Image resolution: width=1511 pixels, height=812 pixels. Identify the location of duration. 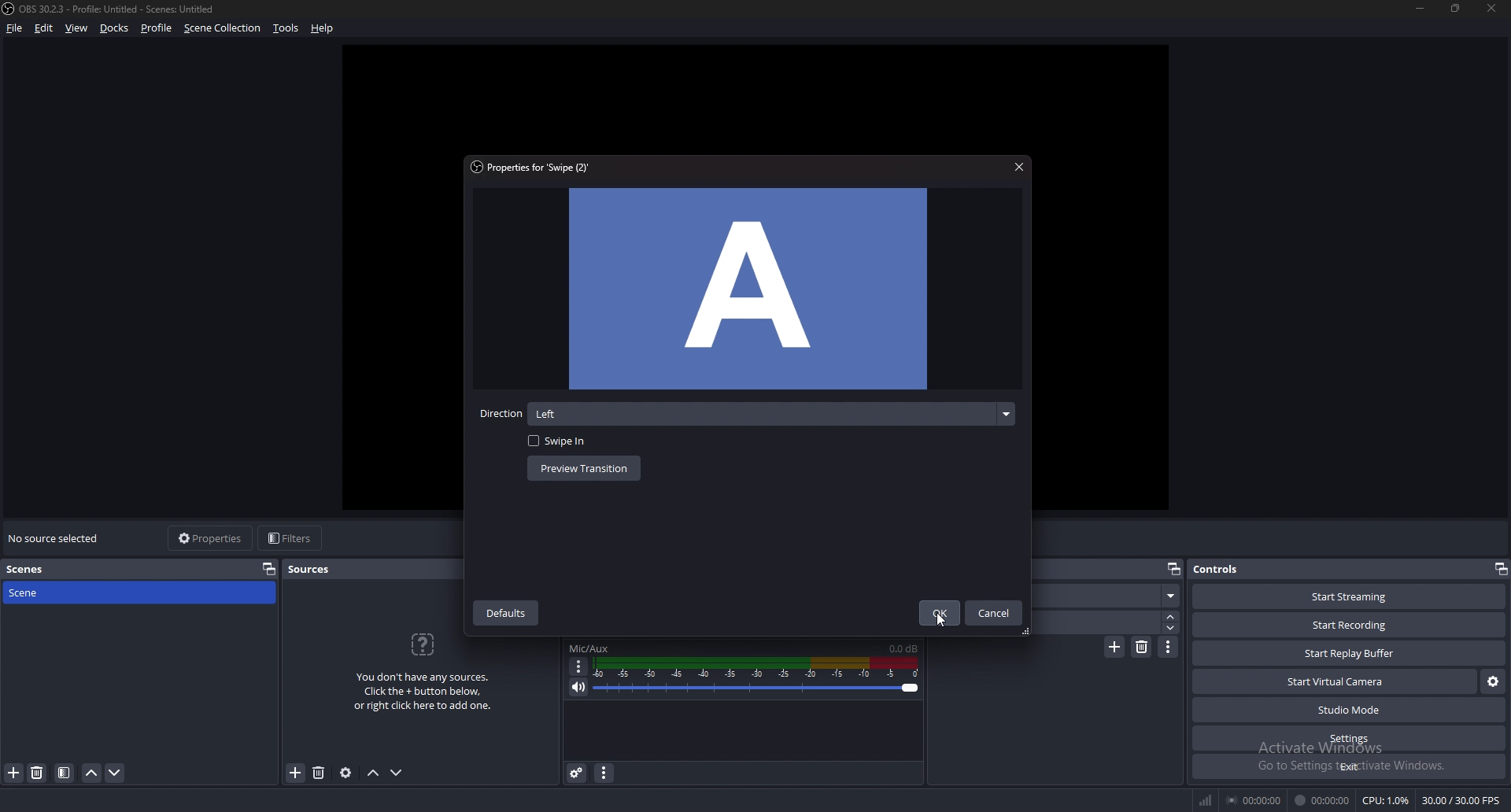
(1098, 622).